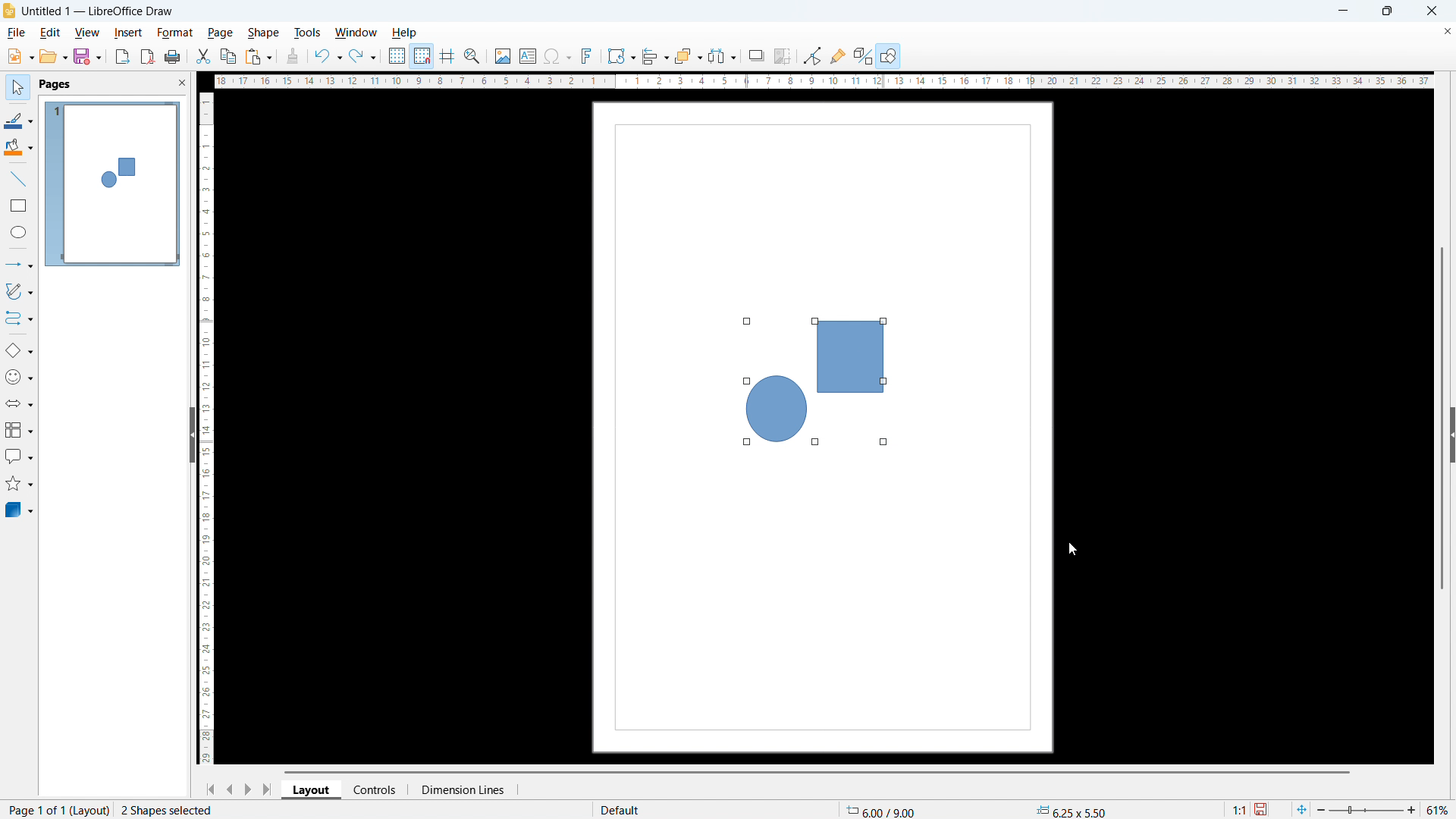 The height and width of the screenshot is (819, 1456). What do you see at coordinates (1072, 549) in the screenshot?
I see `cursor` at bounding box center [1072, 549].